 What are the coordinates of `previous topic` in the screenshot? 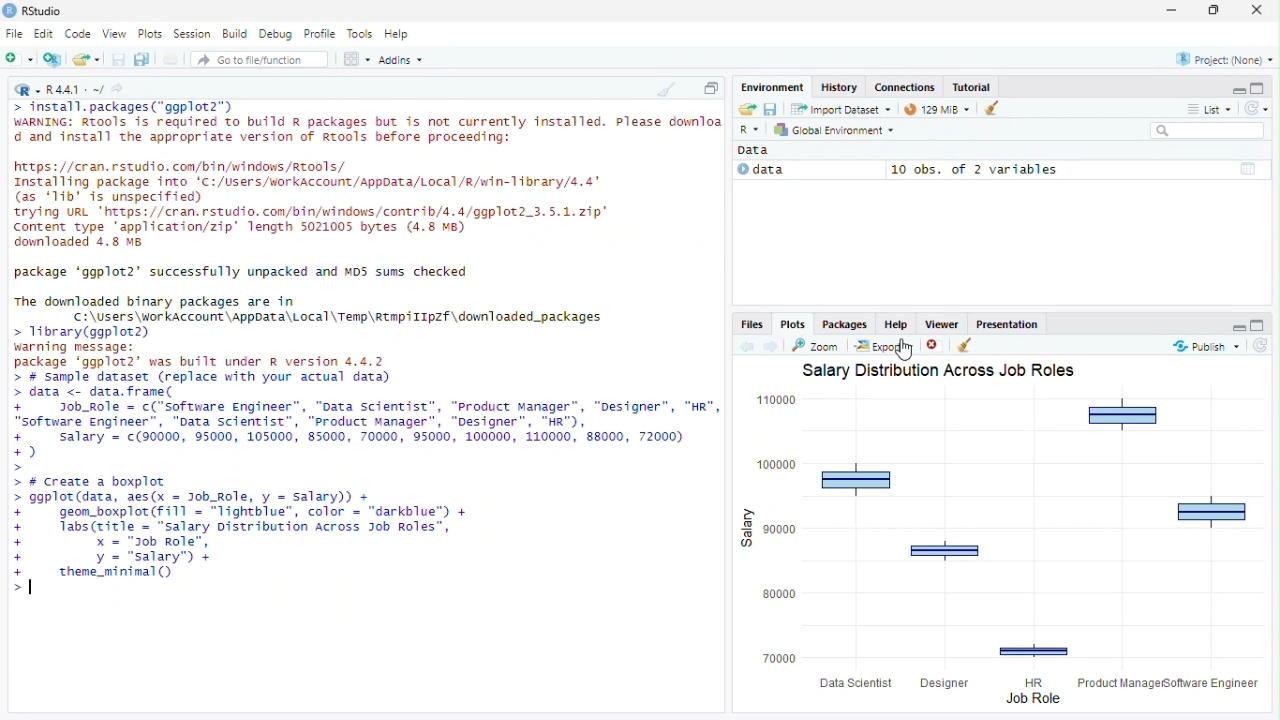 It's located at (745, 347).